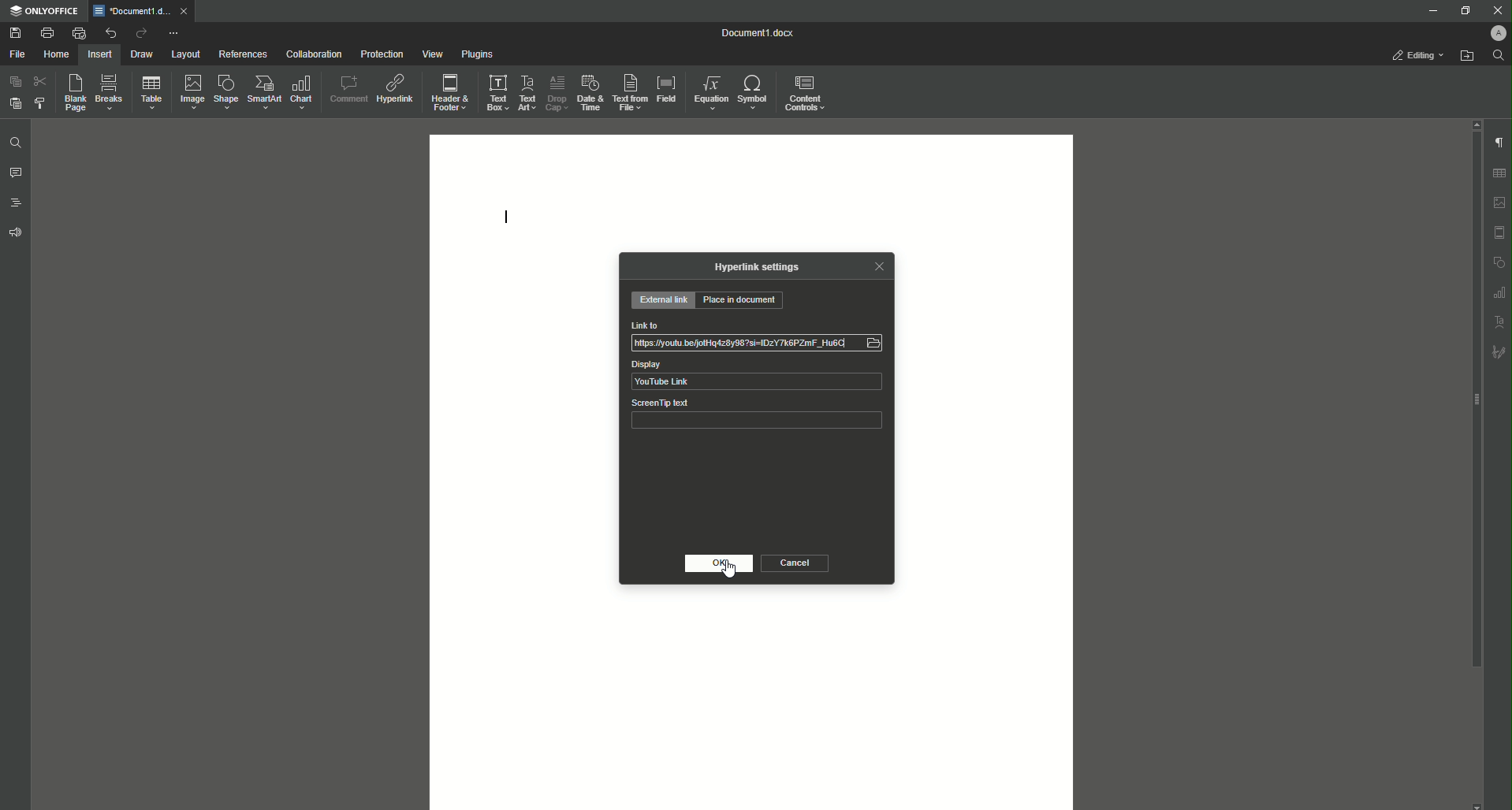 The image size is (1512, 810). What do you see at coordinates (1500, 203) in the screenshot?
I see `Imgae settings` at bounding box center [1500, 203].